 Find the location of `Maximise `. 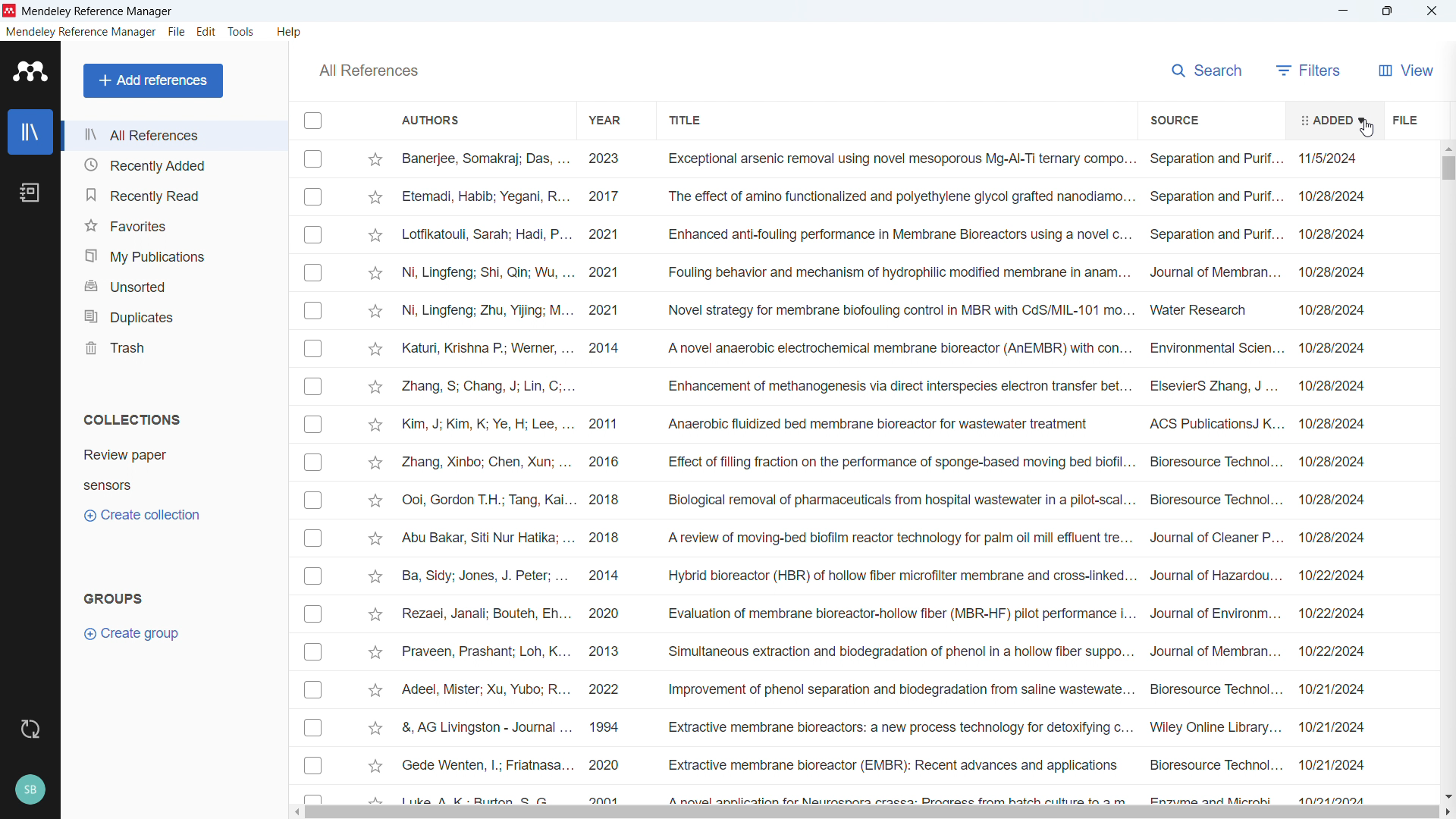

Maximise  is located at coordinates (1388, 11).